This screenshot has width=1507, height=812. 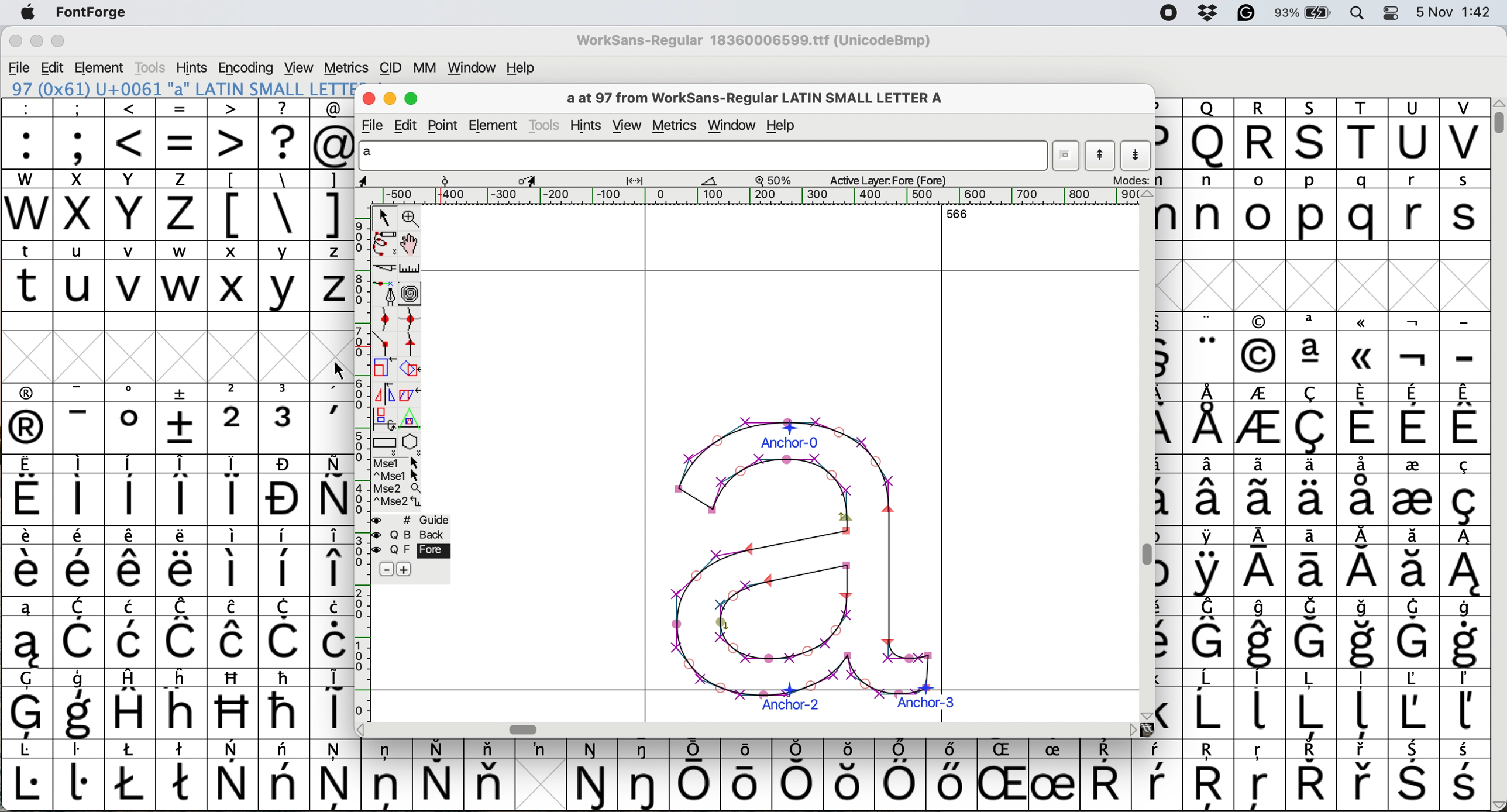 What do you see at coordinates (1211, 490) in the screenshot?
I see `symbol` at bounding box center [1211, 490].